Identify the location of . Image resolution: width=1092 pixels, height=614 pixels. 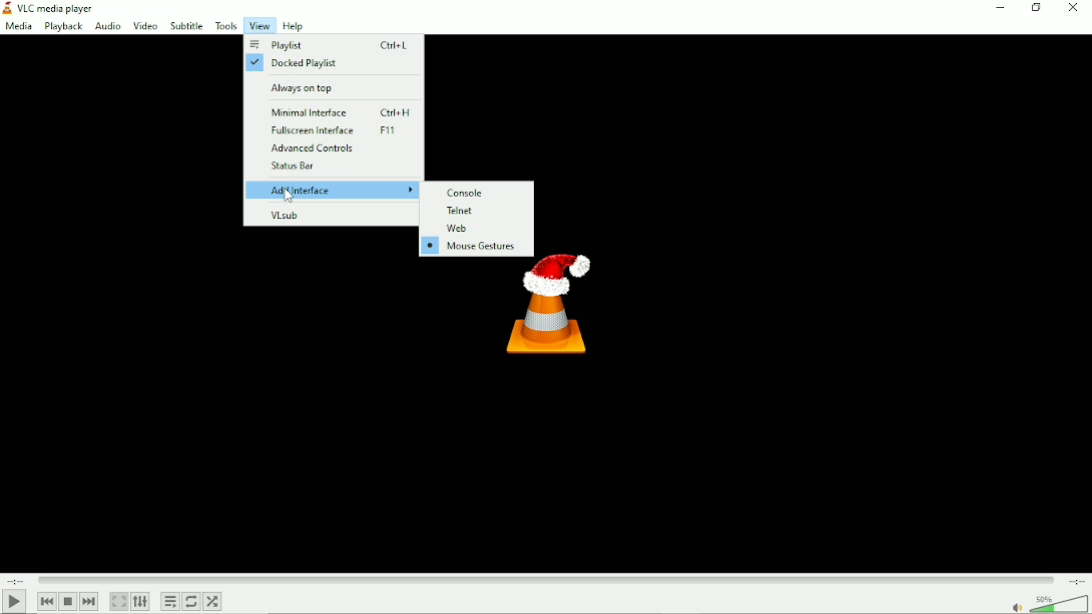
(1073, 9).